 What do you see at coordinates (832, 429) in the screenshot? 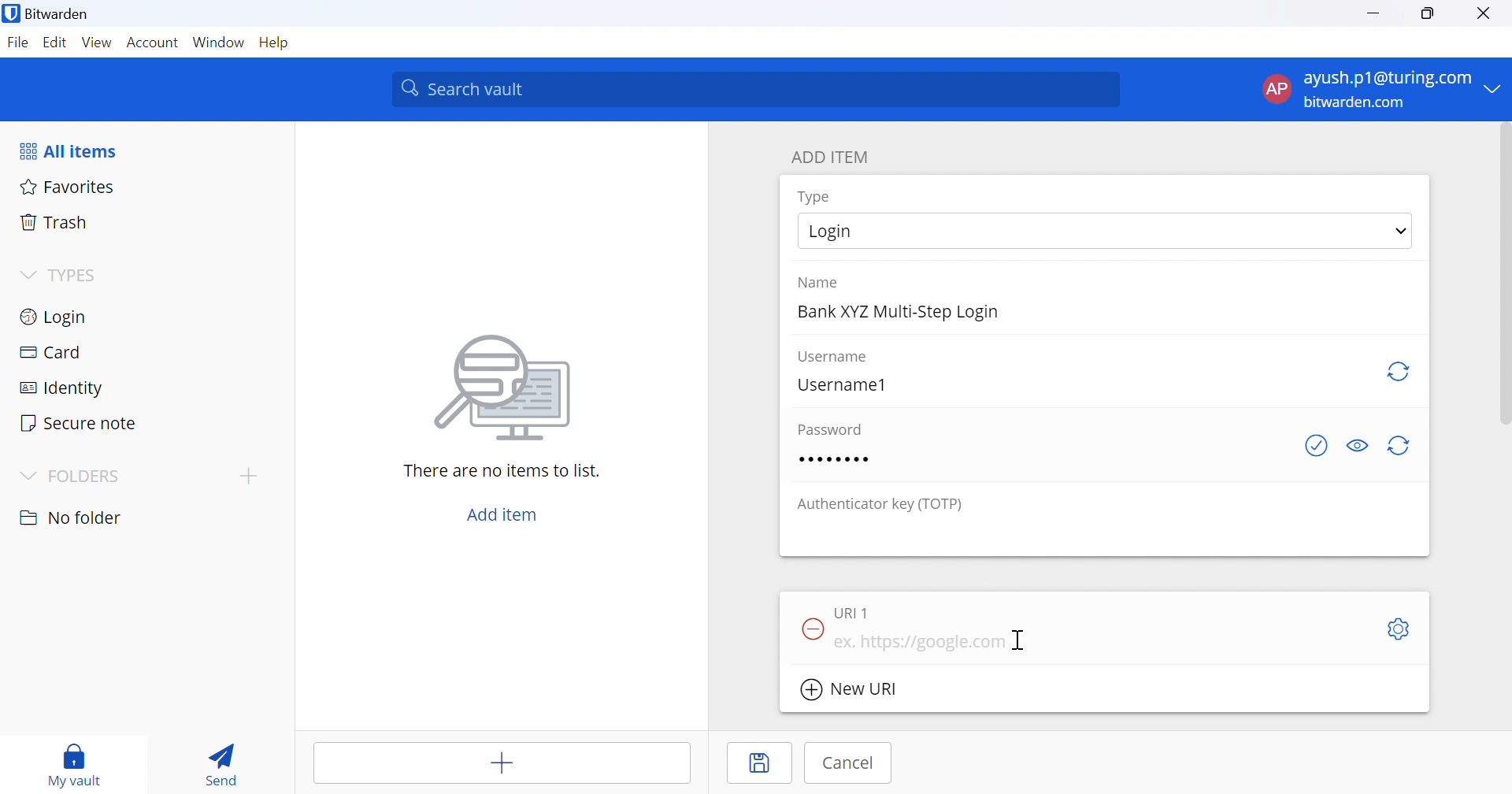
I see `Password` at bounding box center [832, 429].